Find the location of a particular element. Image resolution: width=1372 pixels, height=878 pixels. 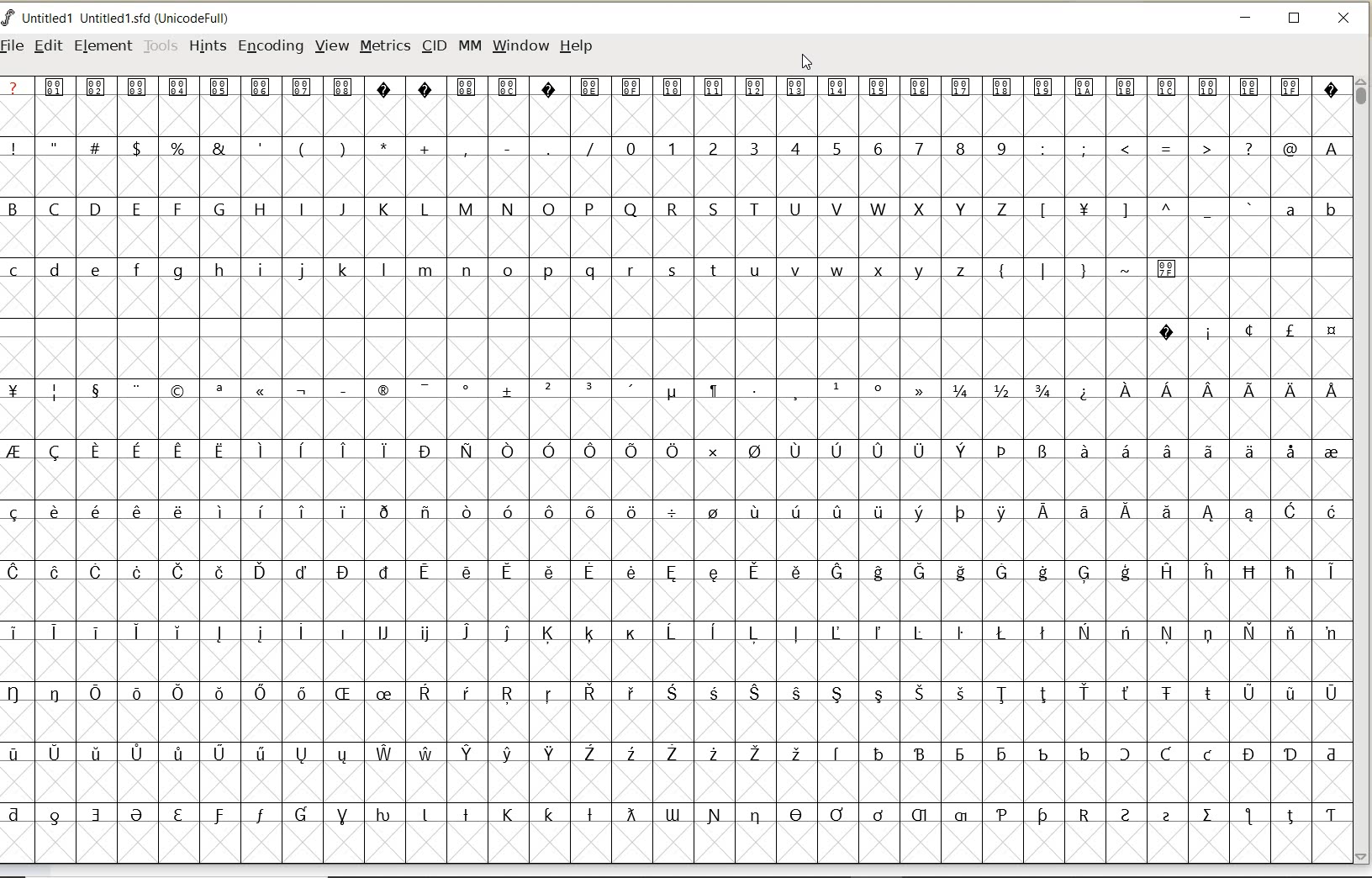

CID is located at coordinates (434, 48).